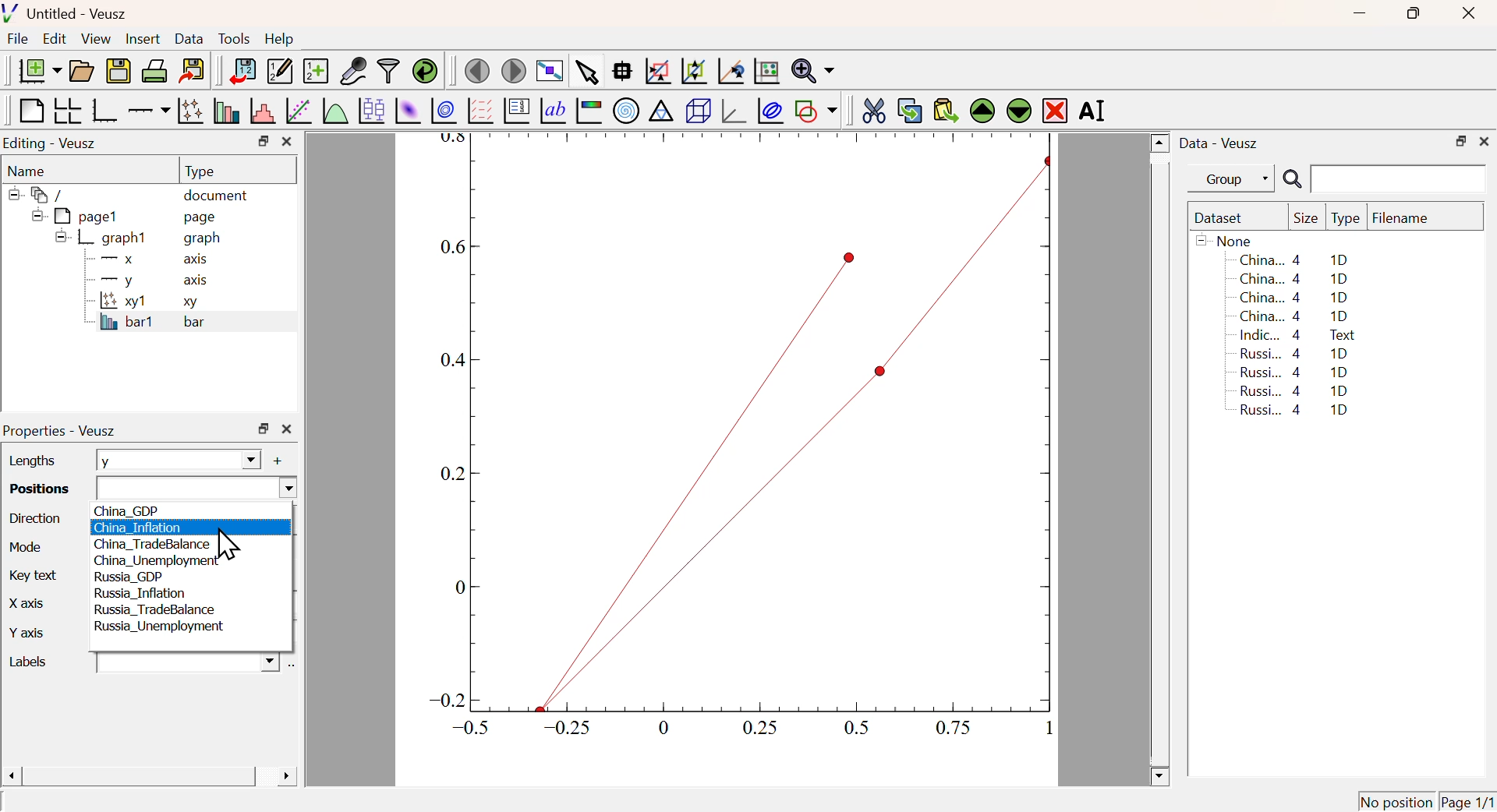 The image size is (1497, 812). I want to click on Restore Down, so click(264, 429).